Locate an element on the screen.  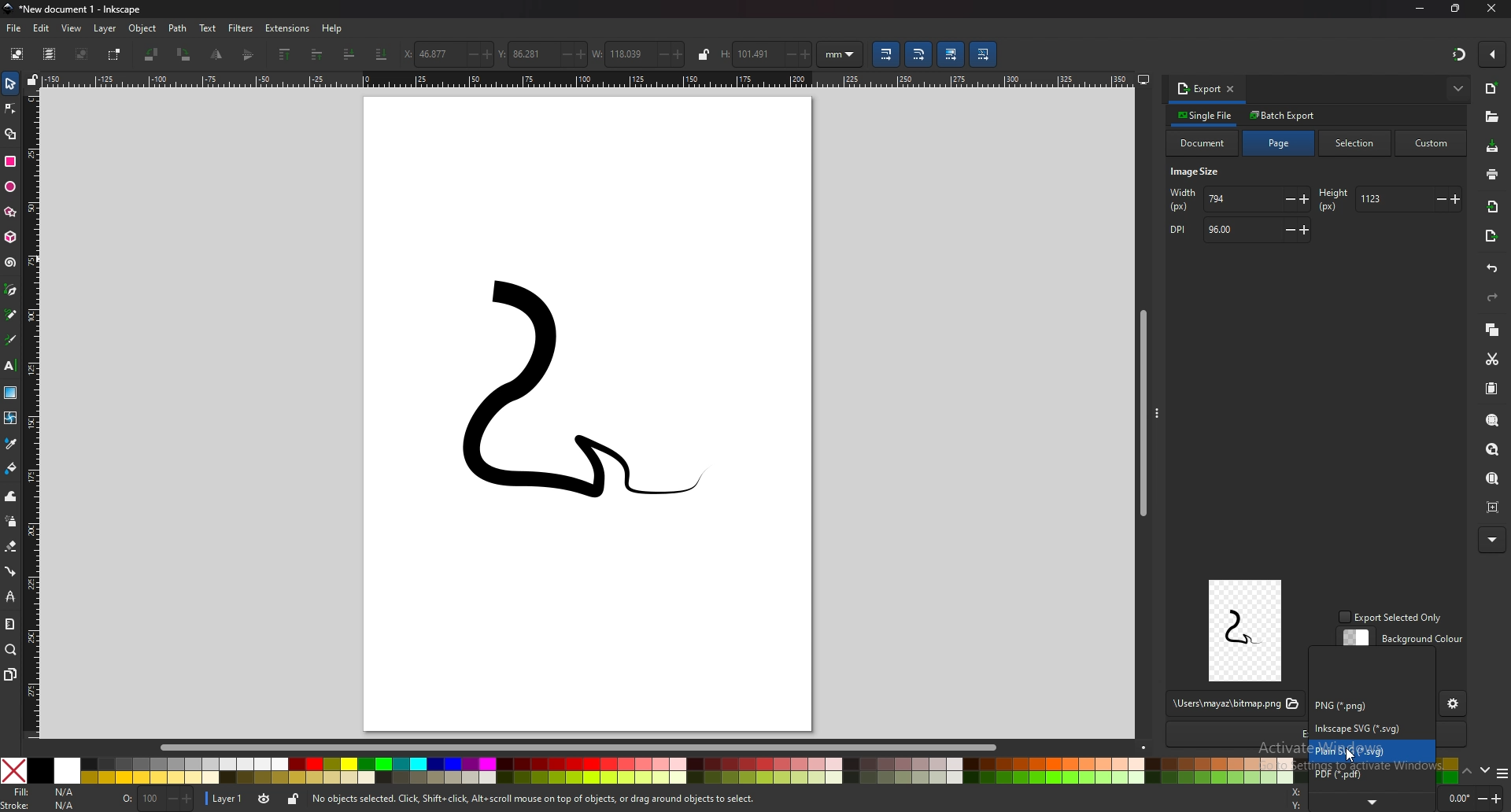
spiral is located at coordinates (12, 263).